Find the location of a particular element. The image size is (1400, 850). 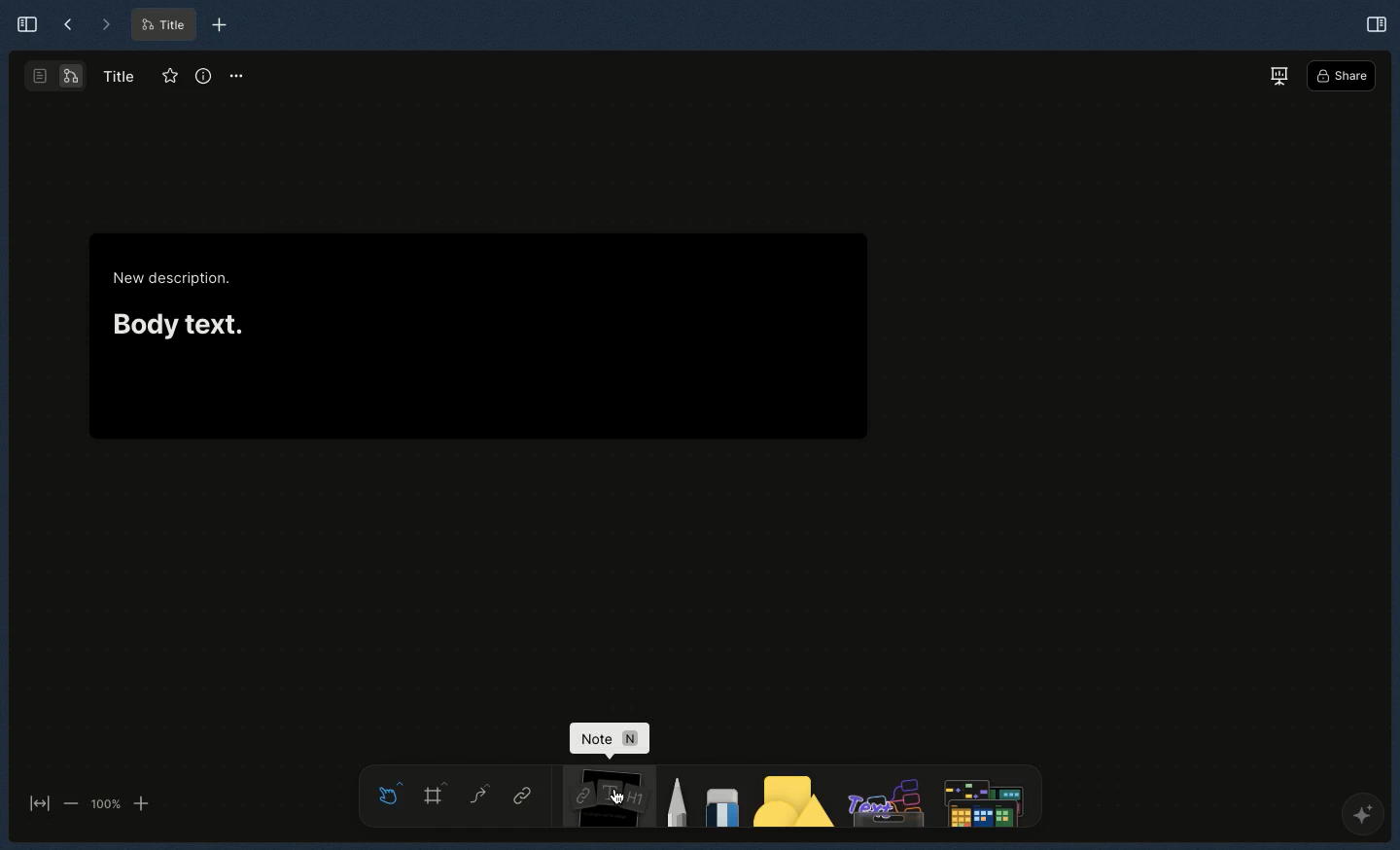

Curve is located at coordinates (478, 793).